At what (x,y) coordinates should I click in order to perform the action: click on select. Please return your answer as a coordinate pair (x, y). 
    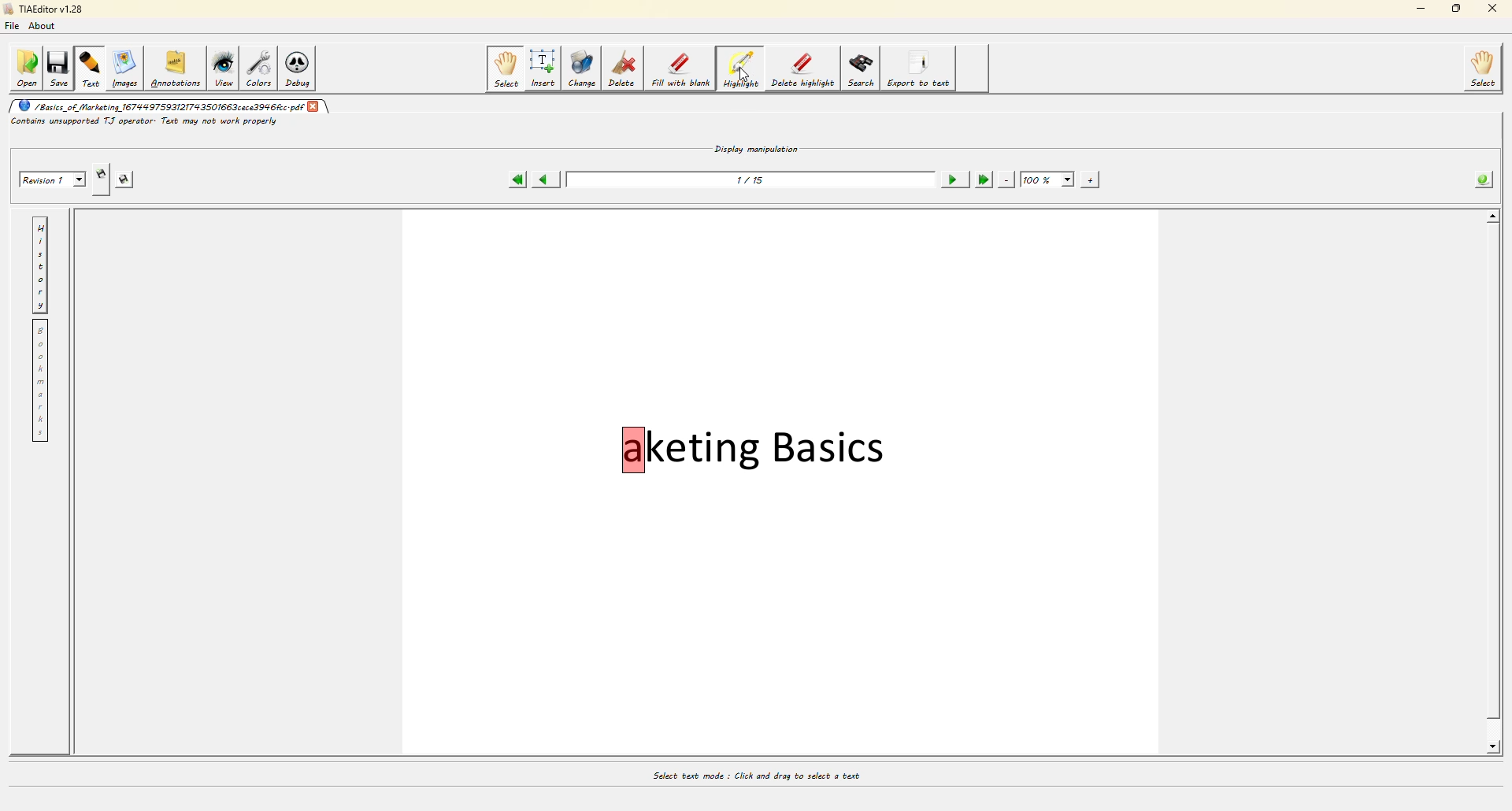
    Looking at the image, I should click on (1480, 70).